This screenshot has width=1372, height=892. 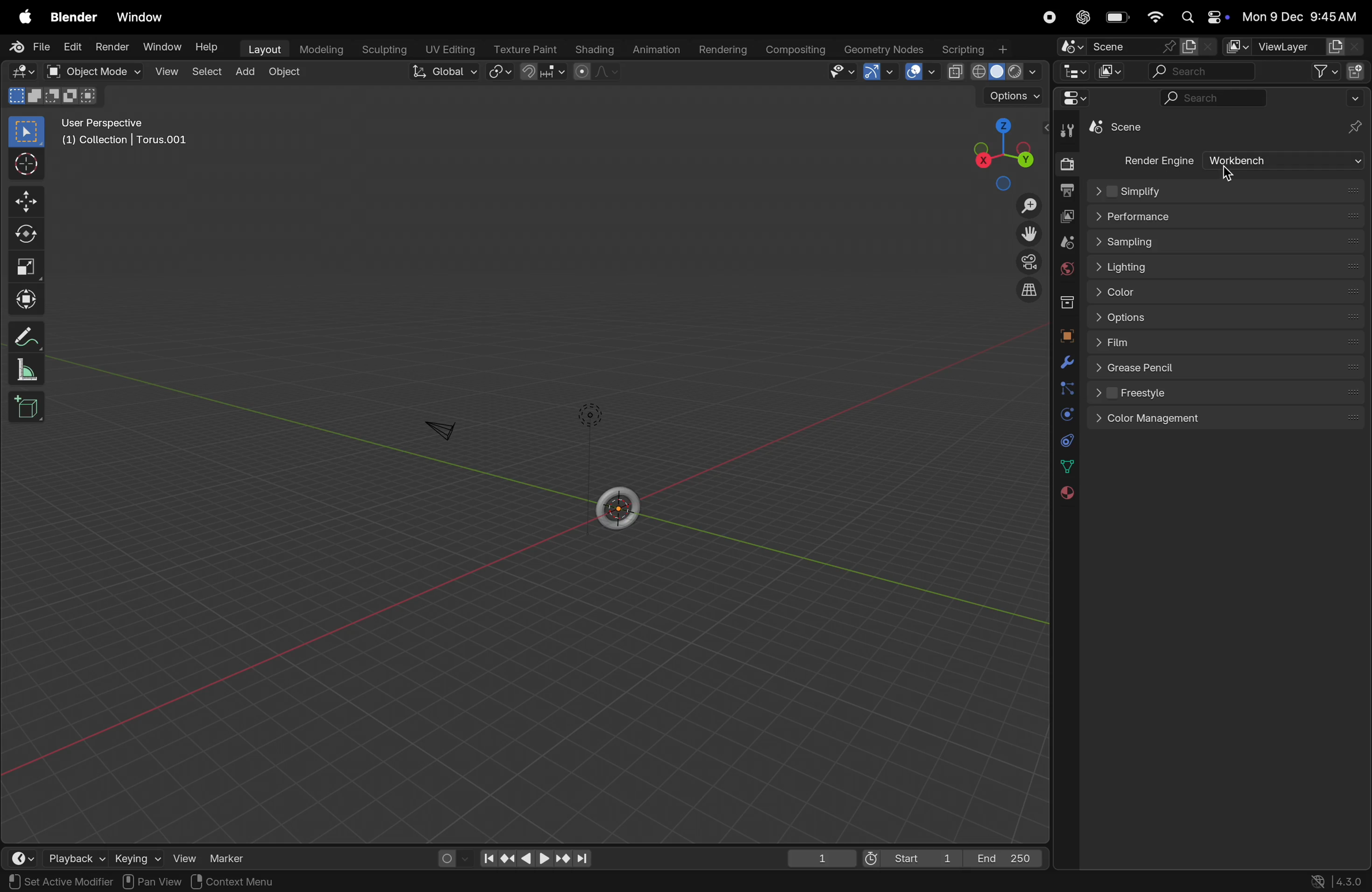 I want to click on proportional editing fall off, so click(x=594, y=73).